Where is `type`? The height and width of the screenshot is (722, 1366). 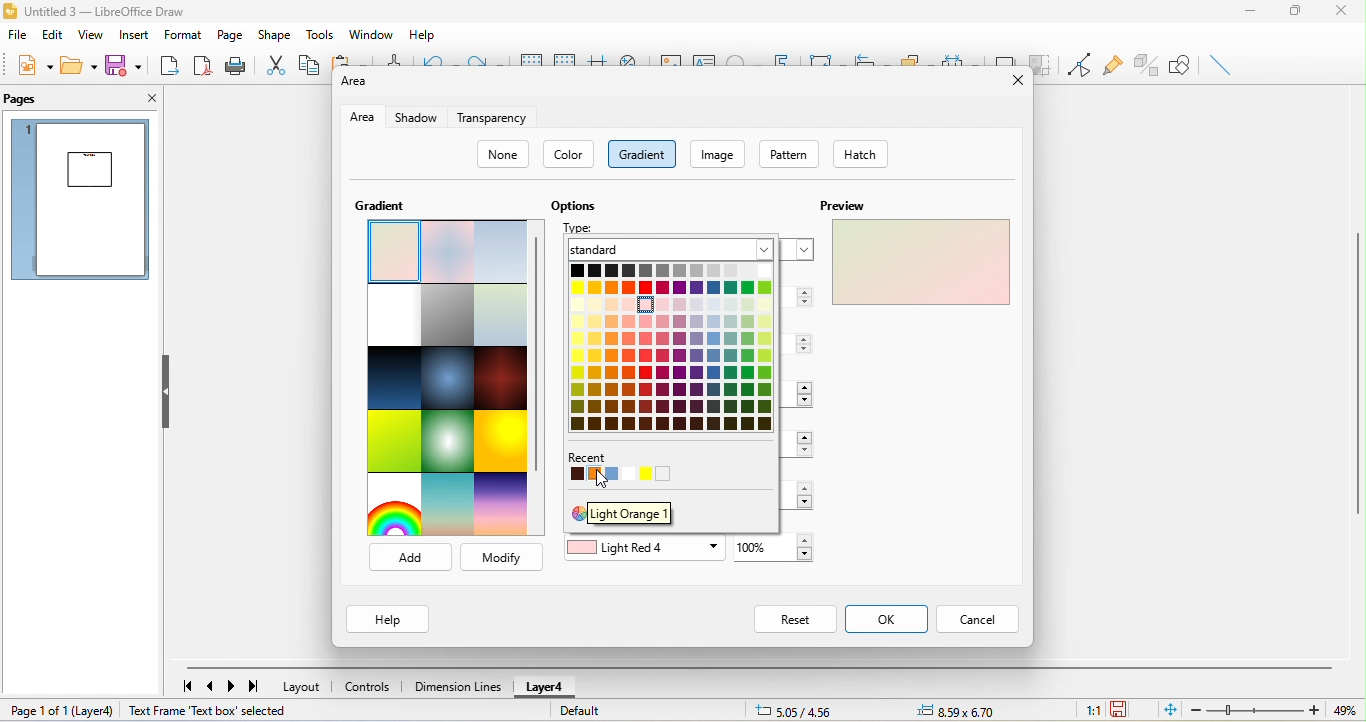 type is located at coordinates (582, 226).